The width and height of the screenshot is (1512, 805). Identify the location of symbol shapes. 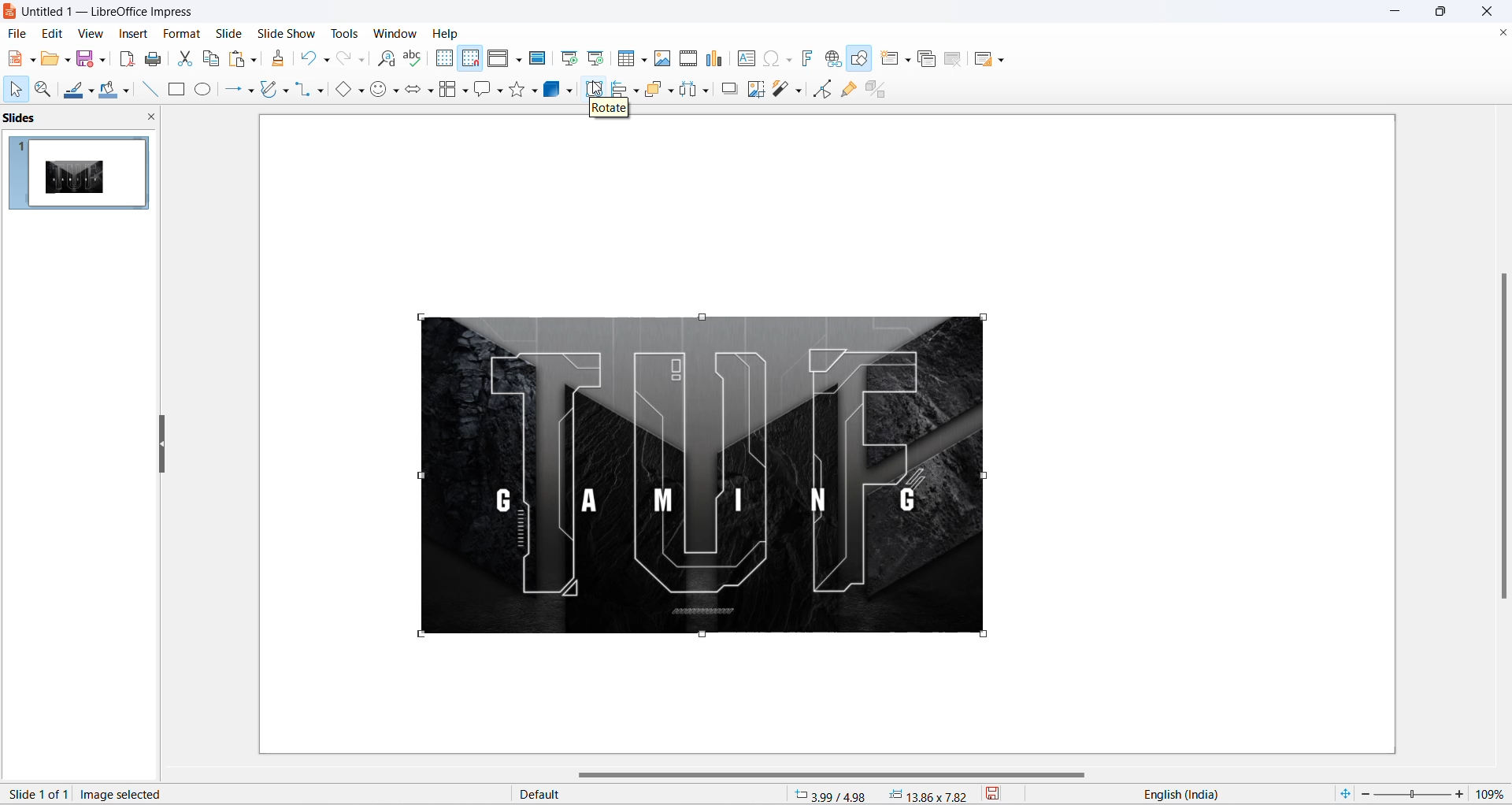
(398, 93).